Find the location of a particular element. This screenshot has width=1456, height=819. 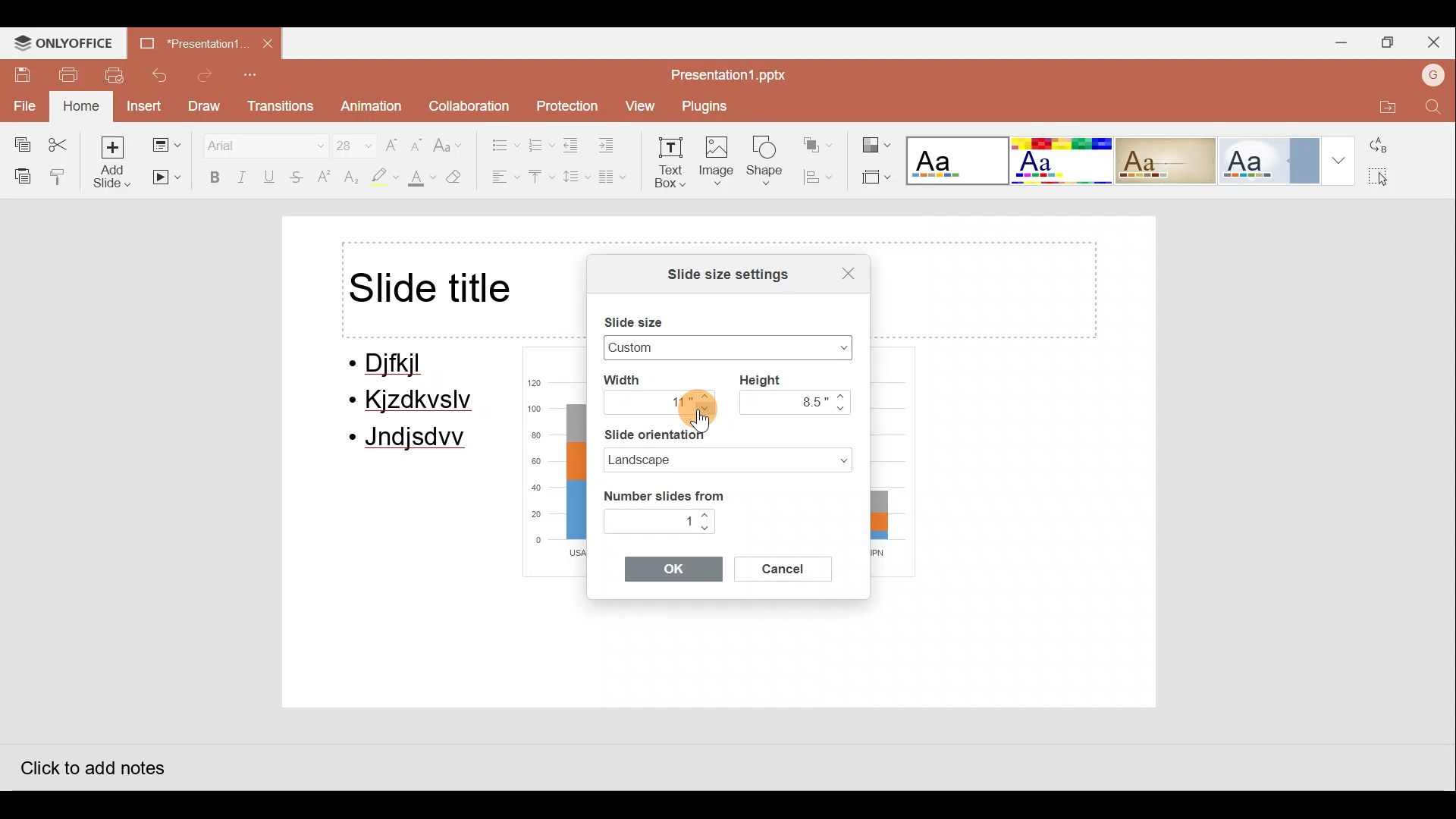

Account name is located at coordinates (1429, 74).